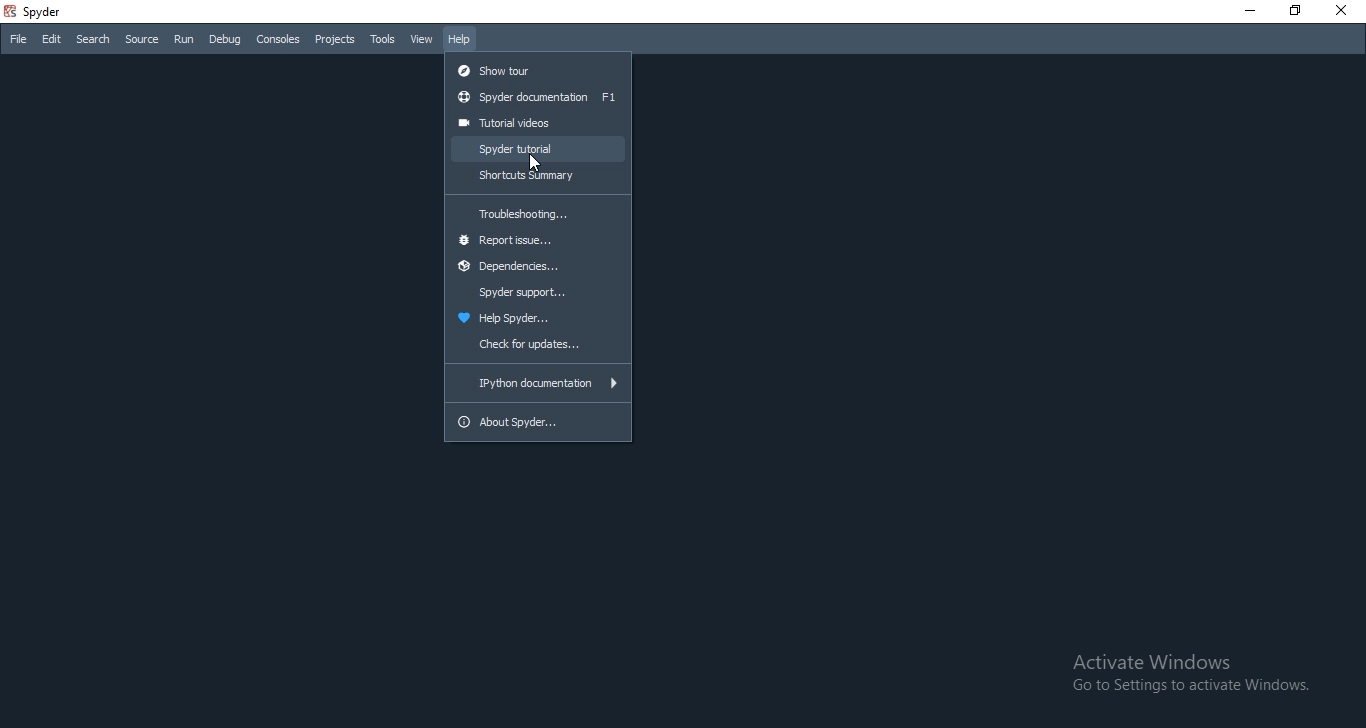 The width and height of the screenshot is (1366, 728). Describe the element at coordinates (182, 39) in the screenshot. I see `Run` at that location.